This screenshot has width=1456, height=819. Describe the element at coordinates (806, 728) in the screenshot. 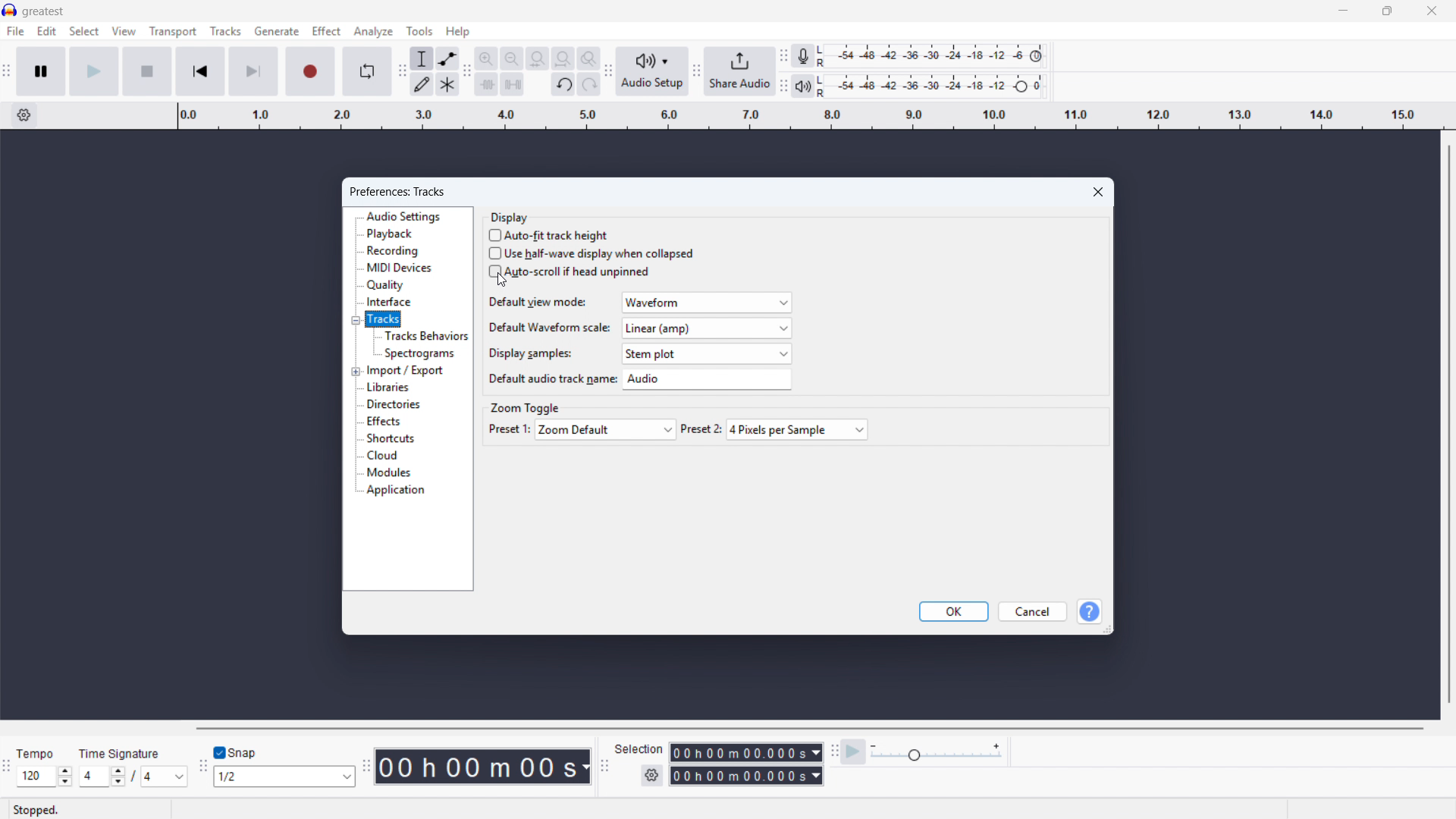

I see `Horizontal scroll bar ` at that location.